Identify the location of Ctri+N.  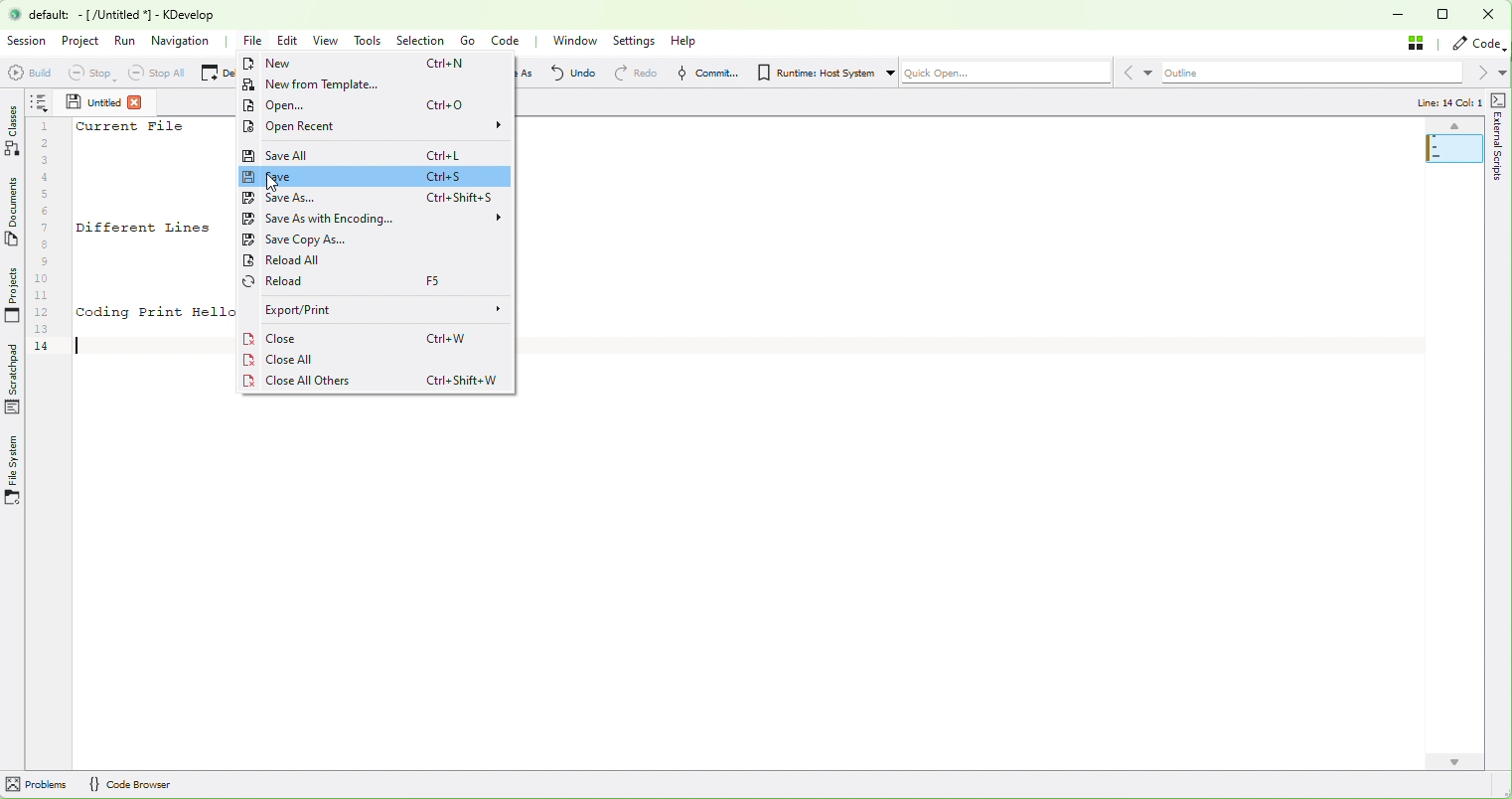
(447, 65).